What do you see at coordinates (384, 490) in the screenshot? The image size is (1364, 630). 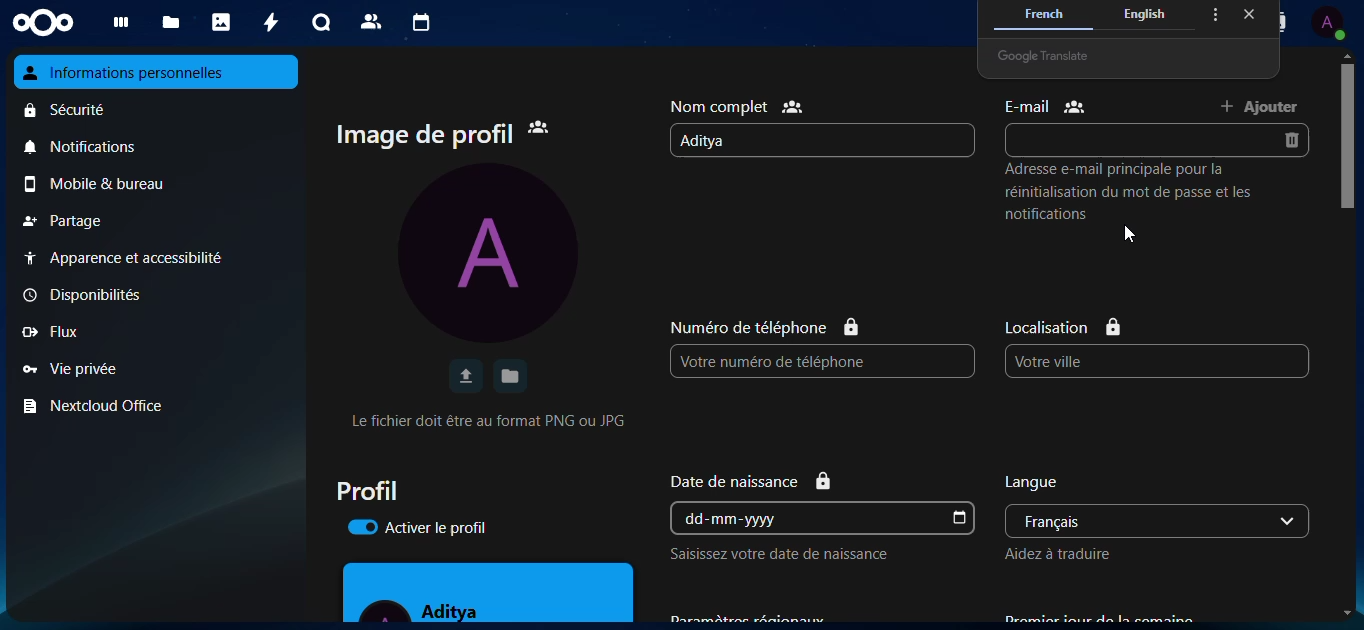 I see `profile` at bounding box center [384, 490].